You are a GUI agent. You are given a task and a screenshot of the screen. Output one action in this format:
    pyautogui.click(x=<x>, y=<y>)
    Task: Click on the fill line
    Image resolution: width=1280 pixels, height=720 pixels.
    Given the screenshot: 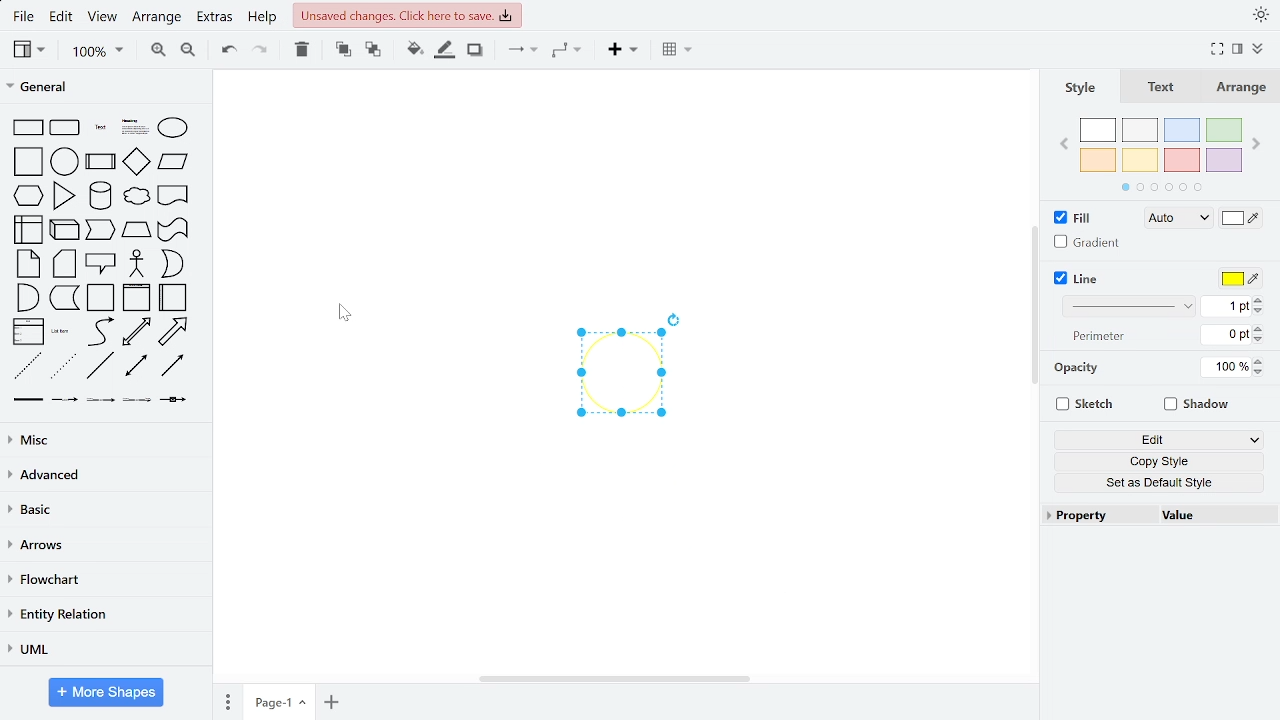 What is the action you would take?
    pyautogui.click(x=444, y=51)
    